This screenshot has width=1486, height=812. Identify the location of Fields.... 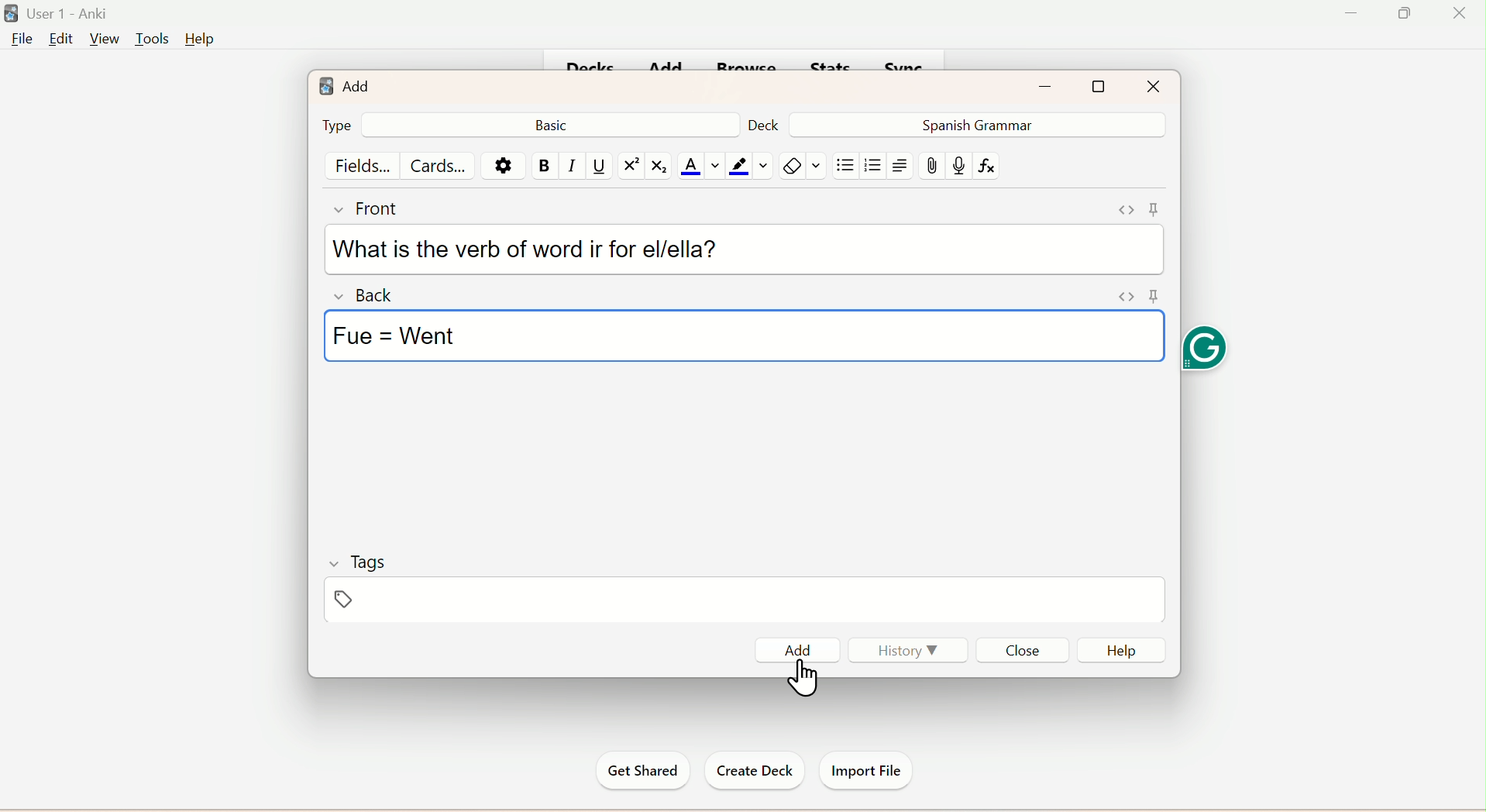
(364, 164).